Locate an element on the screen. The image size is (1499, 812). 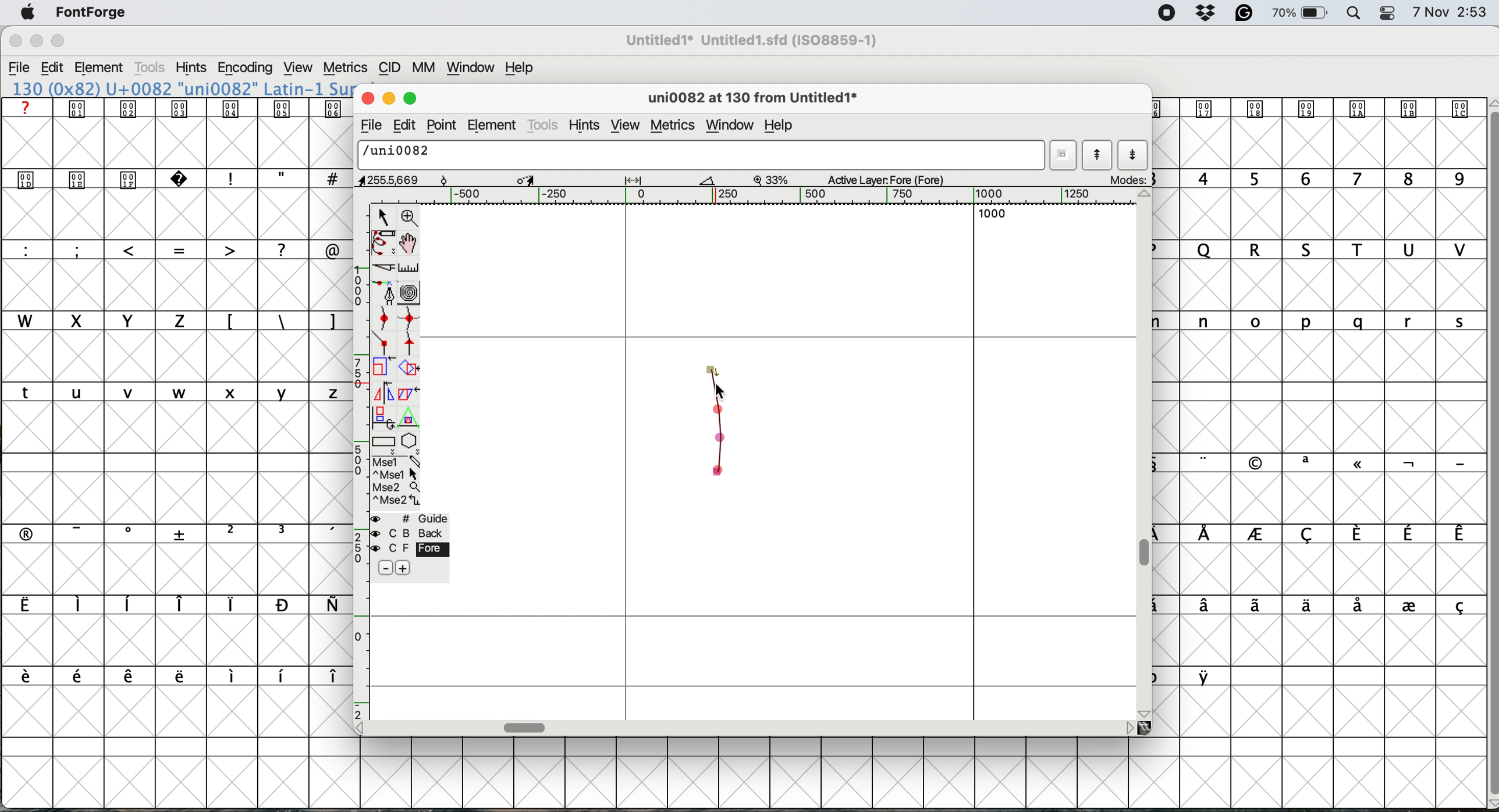
date and time is located at coordinates (1450, 13).